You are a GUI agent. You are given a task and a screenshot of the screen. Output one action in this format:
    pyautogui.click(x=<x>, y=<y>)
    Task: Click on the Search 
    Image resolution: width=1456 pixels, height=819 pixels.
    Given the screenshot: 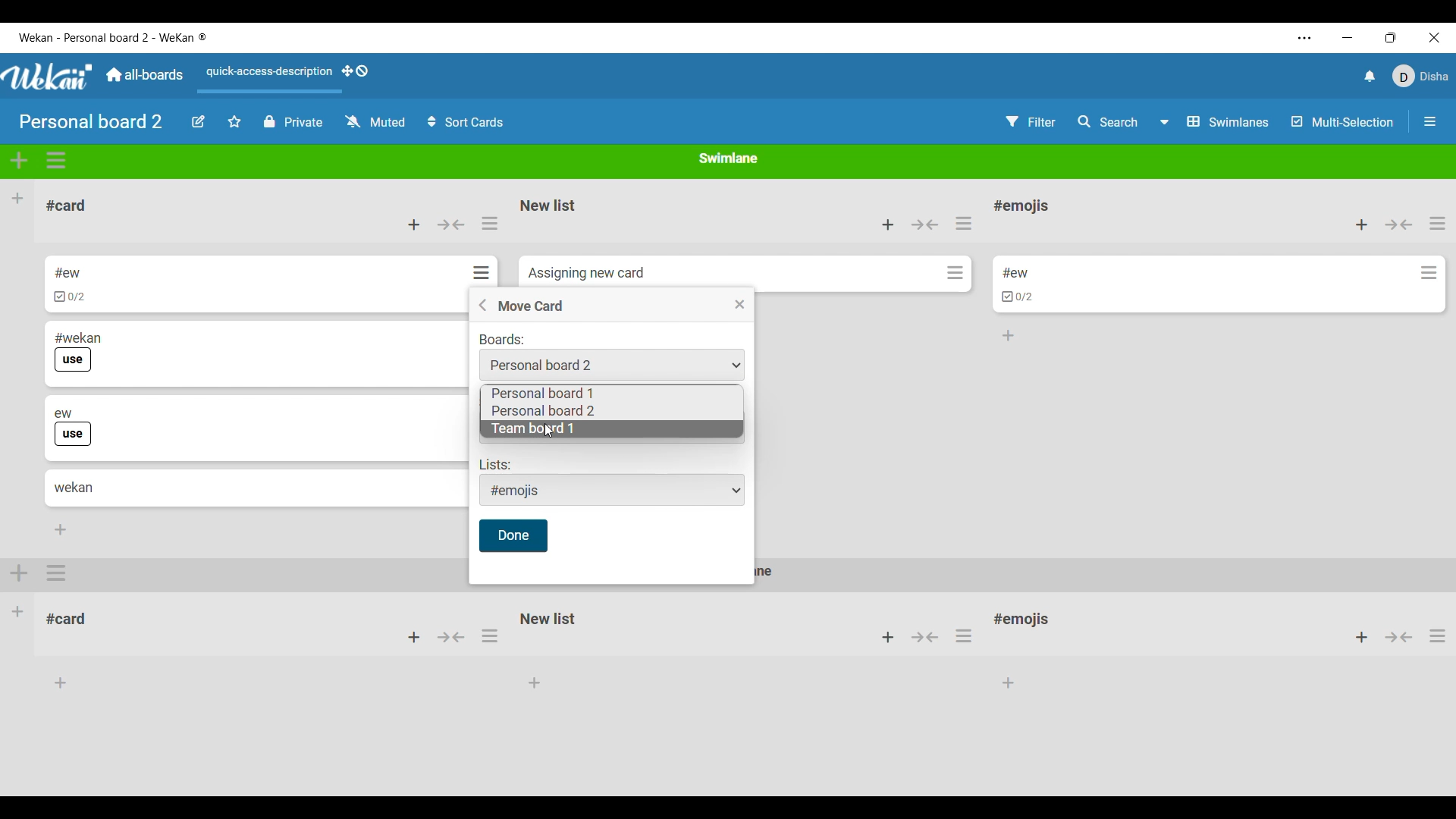 What is the action you would take?
    pyautogui.click(x=1109, y=121)
    